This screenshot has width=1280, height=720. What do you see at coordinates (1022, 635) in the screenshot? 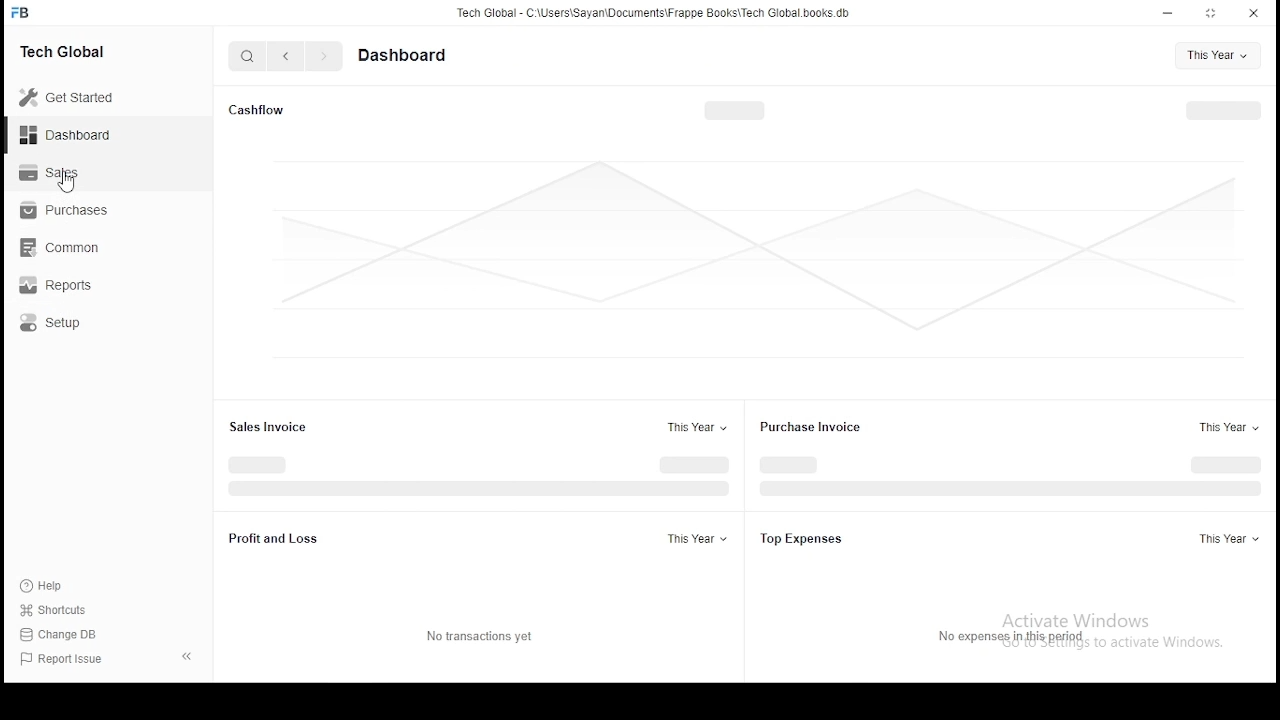
I see `no expenses in this period` at bounding box center [1022, 635].